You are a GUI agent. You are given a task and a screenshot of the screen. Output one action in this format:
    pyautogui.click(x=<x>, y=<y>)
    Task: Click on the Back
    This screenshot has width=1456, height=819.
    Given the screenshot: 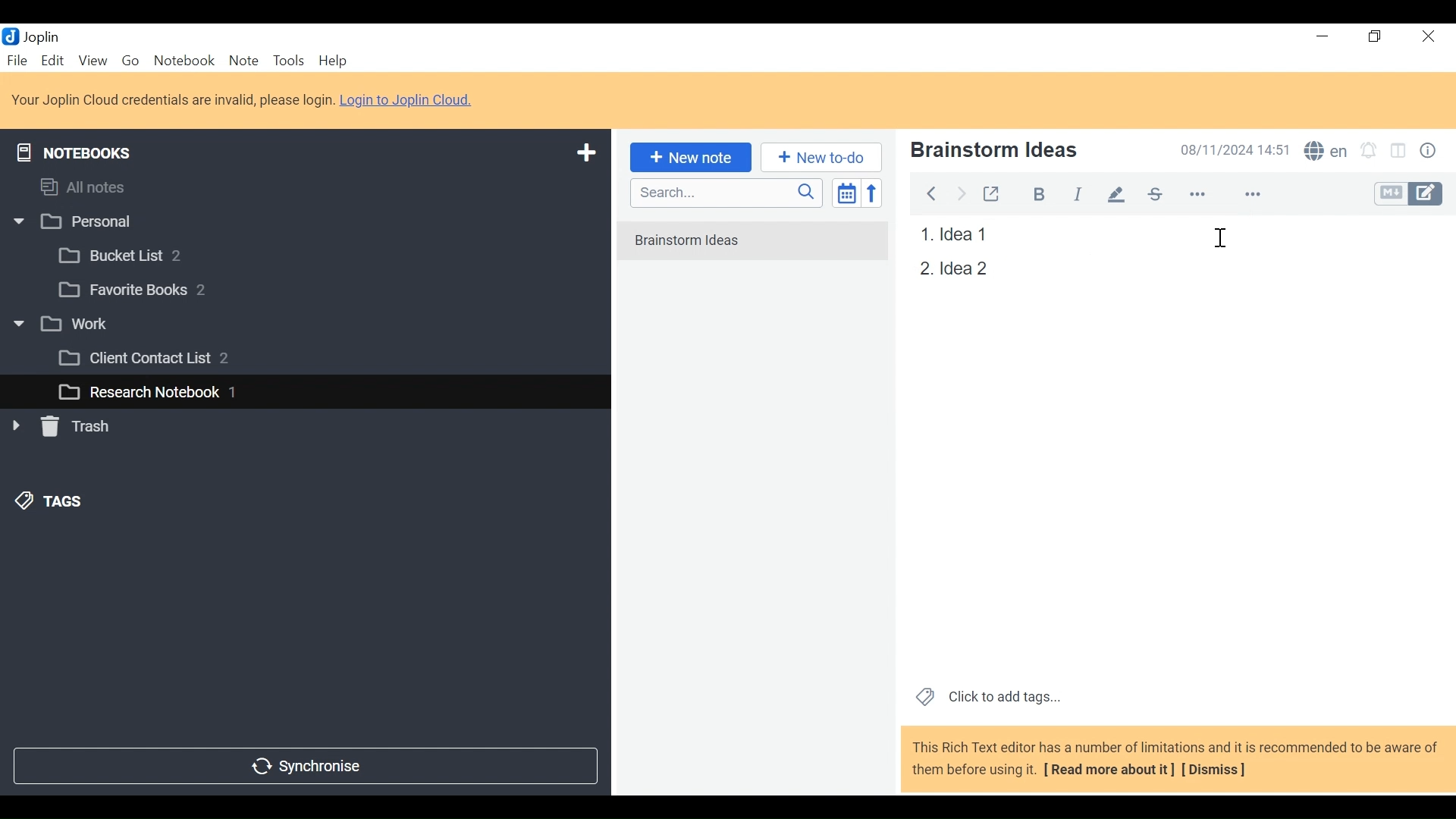 What is the action you would take?
    pyautogui.click(x=930, y=191)
    